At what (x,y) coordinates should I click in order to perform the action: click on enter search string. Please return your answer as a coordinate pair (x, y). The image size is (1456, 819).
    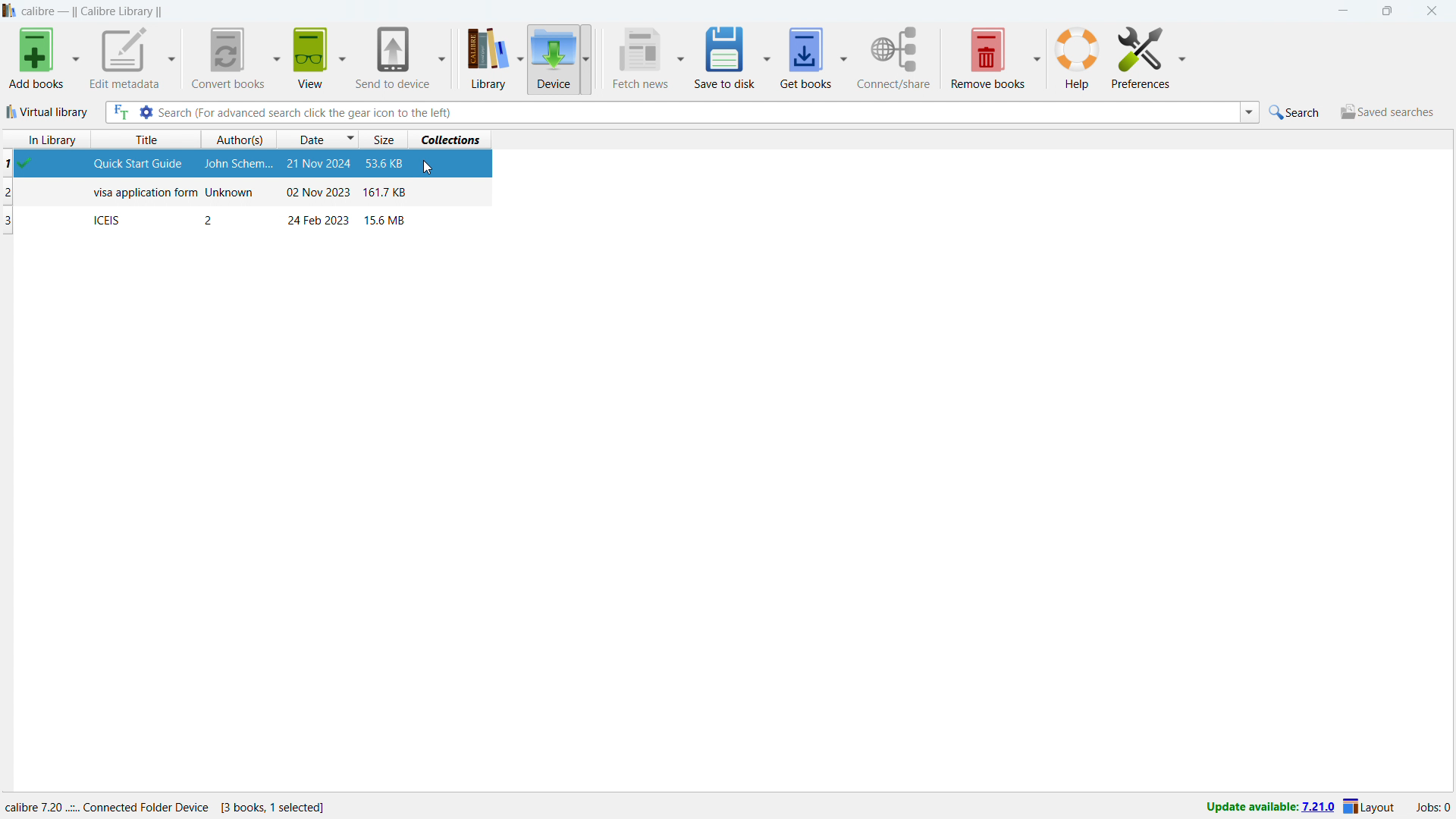
    Looking at the image, I should click on (698, 112).